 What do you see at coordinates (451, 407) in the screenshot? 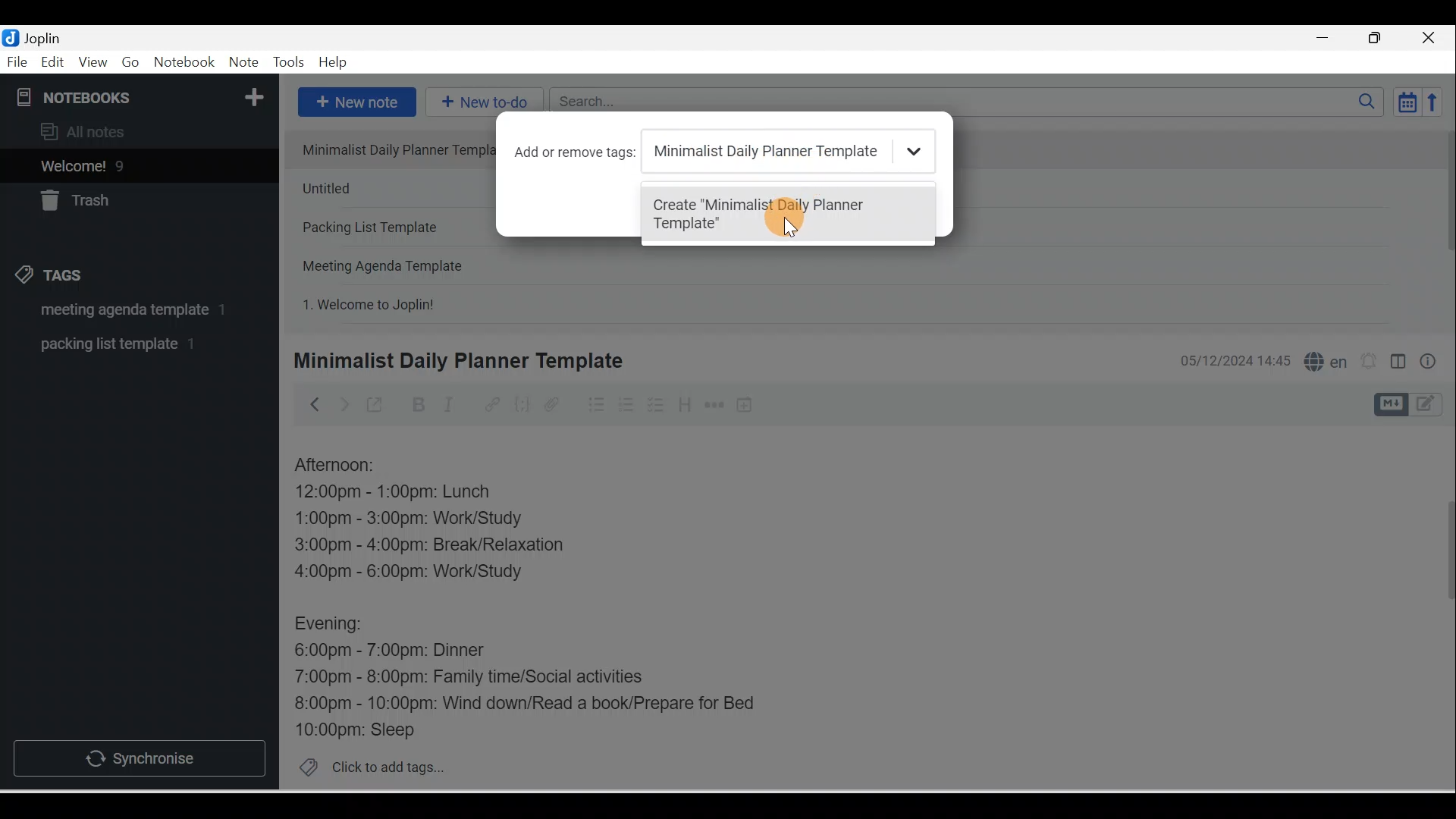
I see `Italic` at bounding box center [451, 407].